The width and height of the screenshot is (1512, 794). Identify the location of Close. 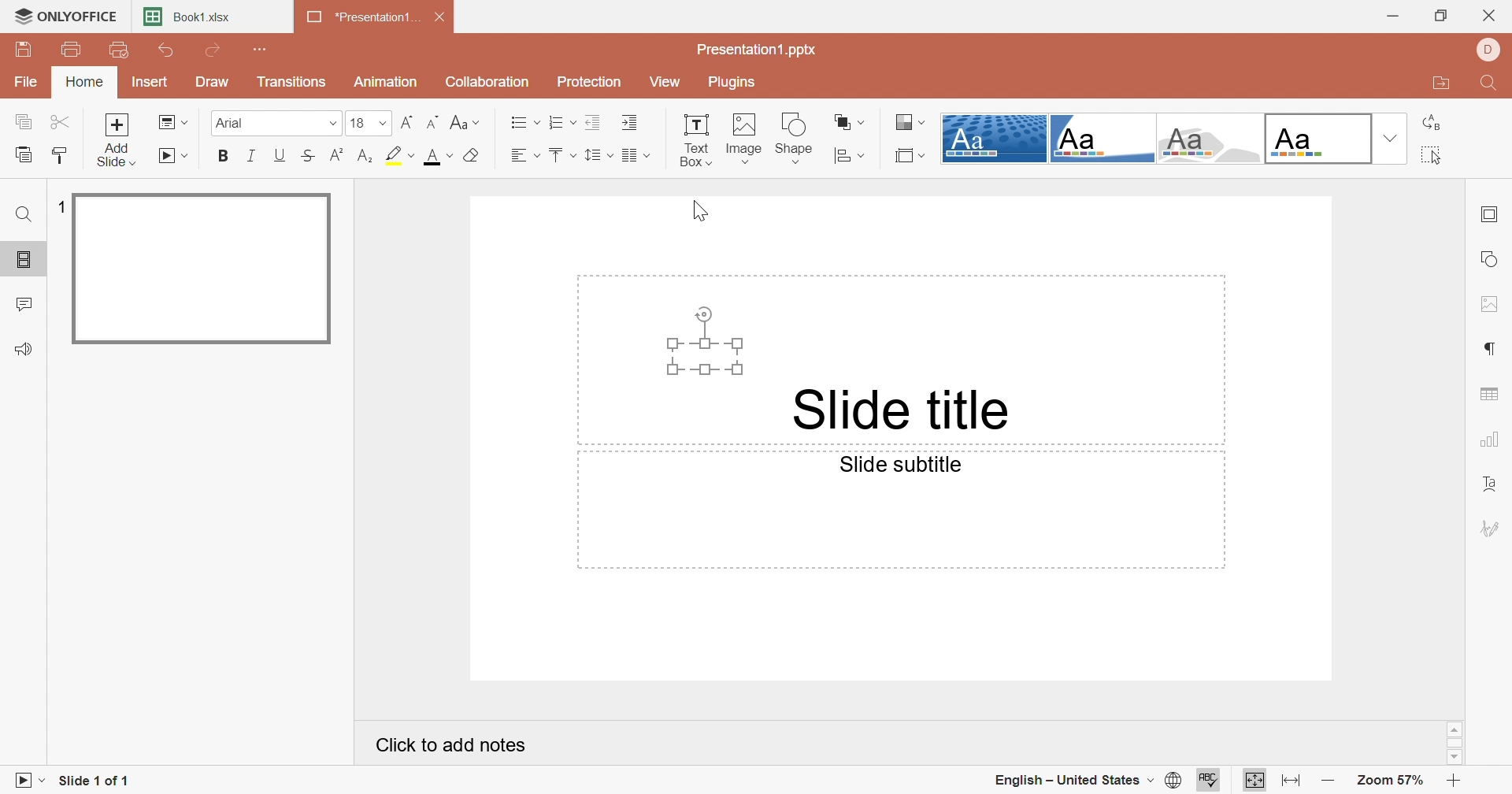
(1492, 12).